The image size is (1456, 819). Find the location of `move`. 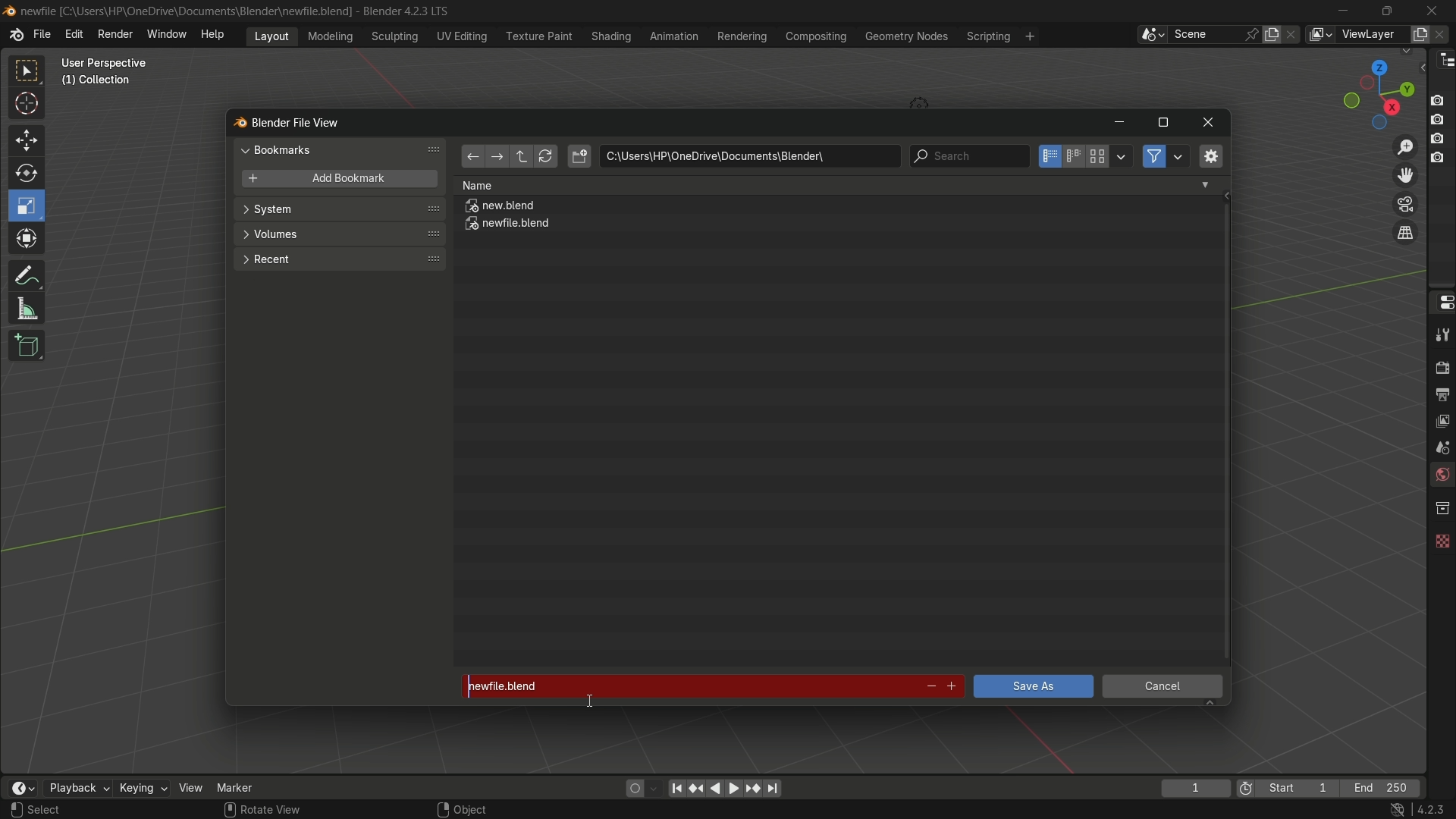

move is located at coordinates (25, 139).